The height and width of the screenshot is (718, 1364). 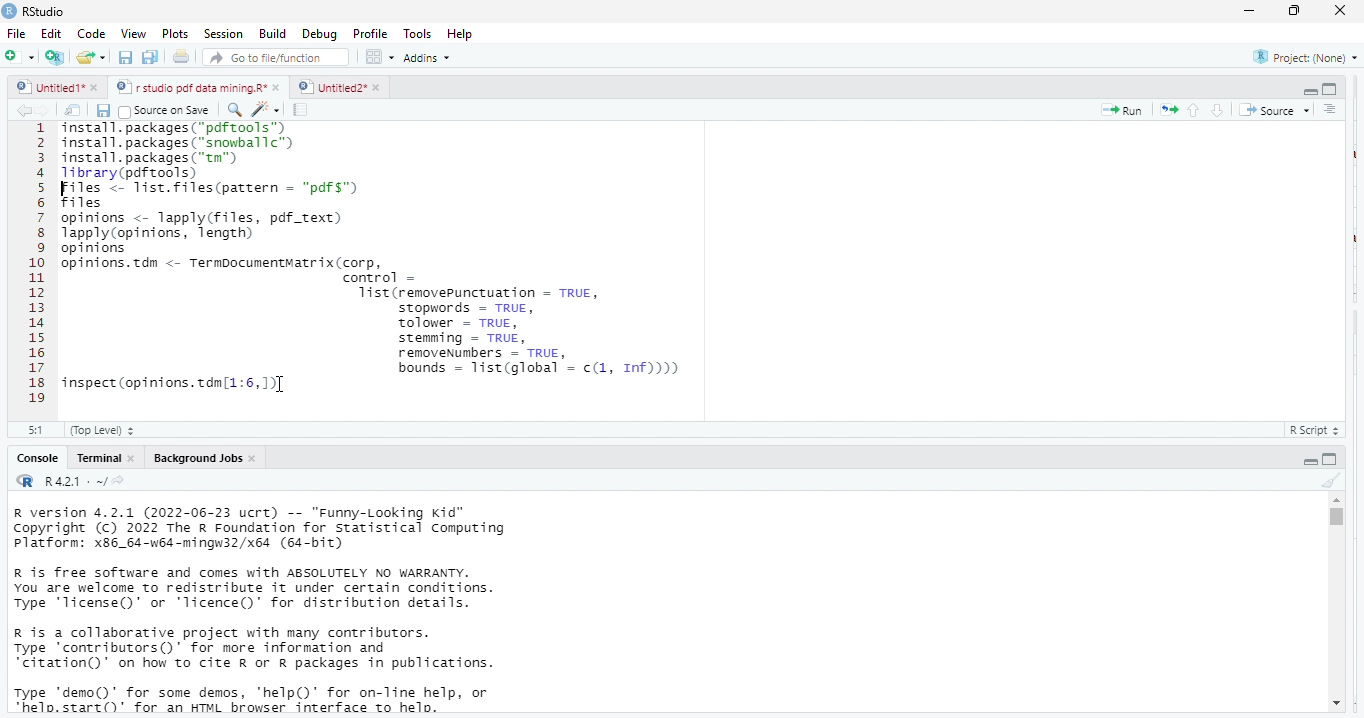 What do you see at coordinates (1272, 110) in the screenshot?
I see `source` at bounding box center [1272, 110].